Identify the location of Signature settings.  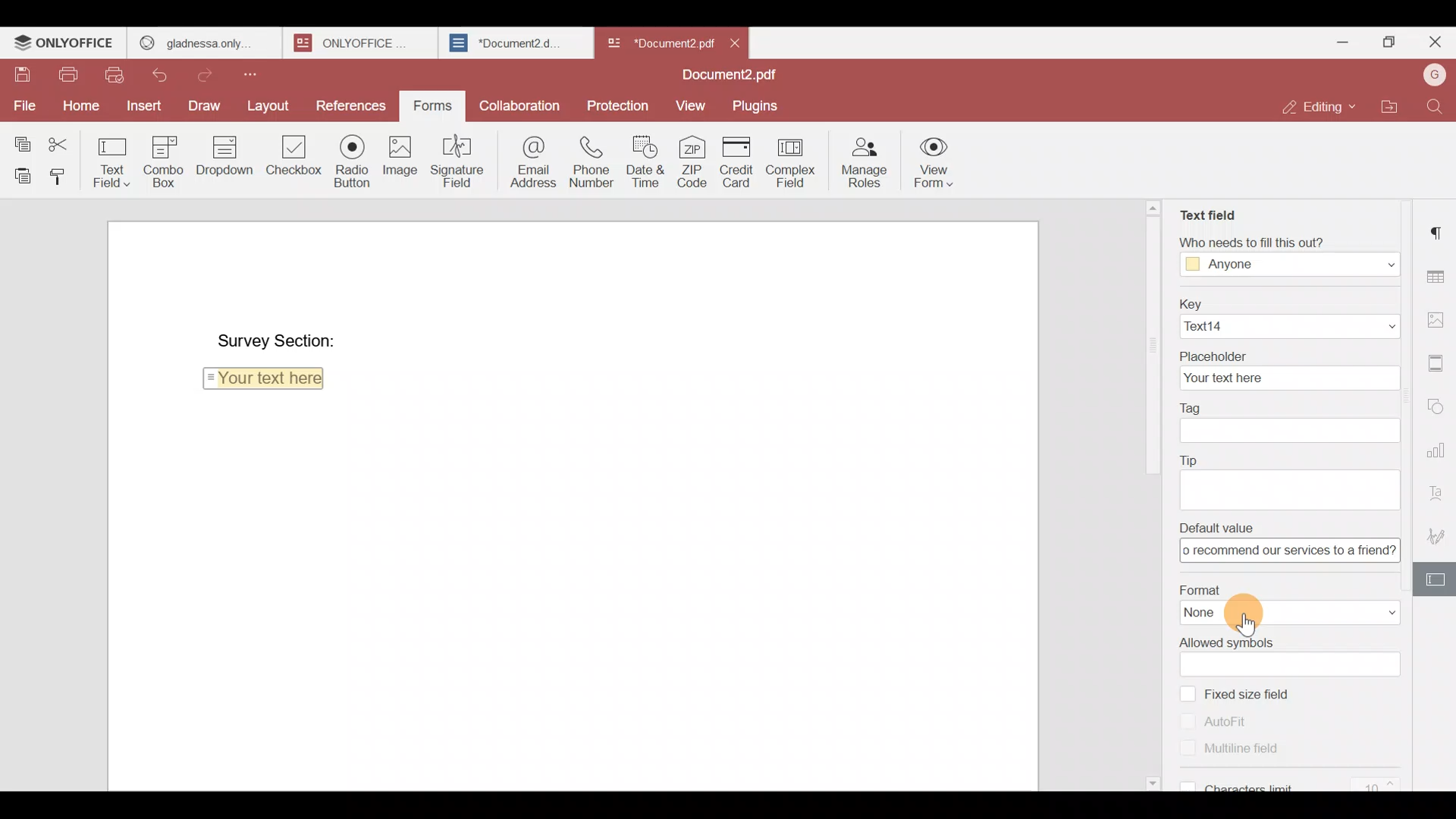
(1438, 536).